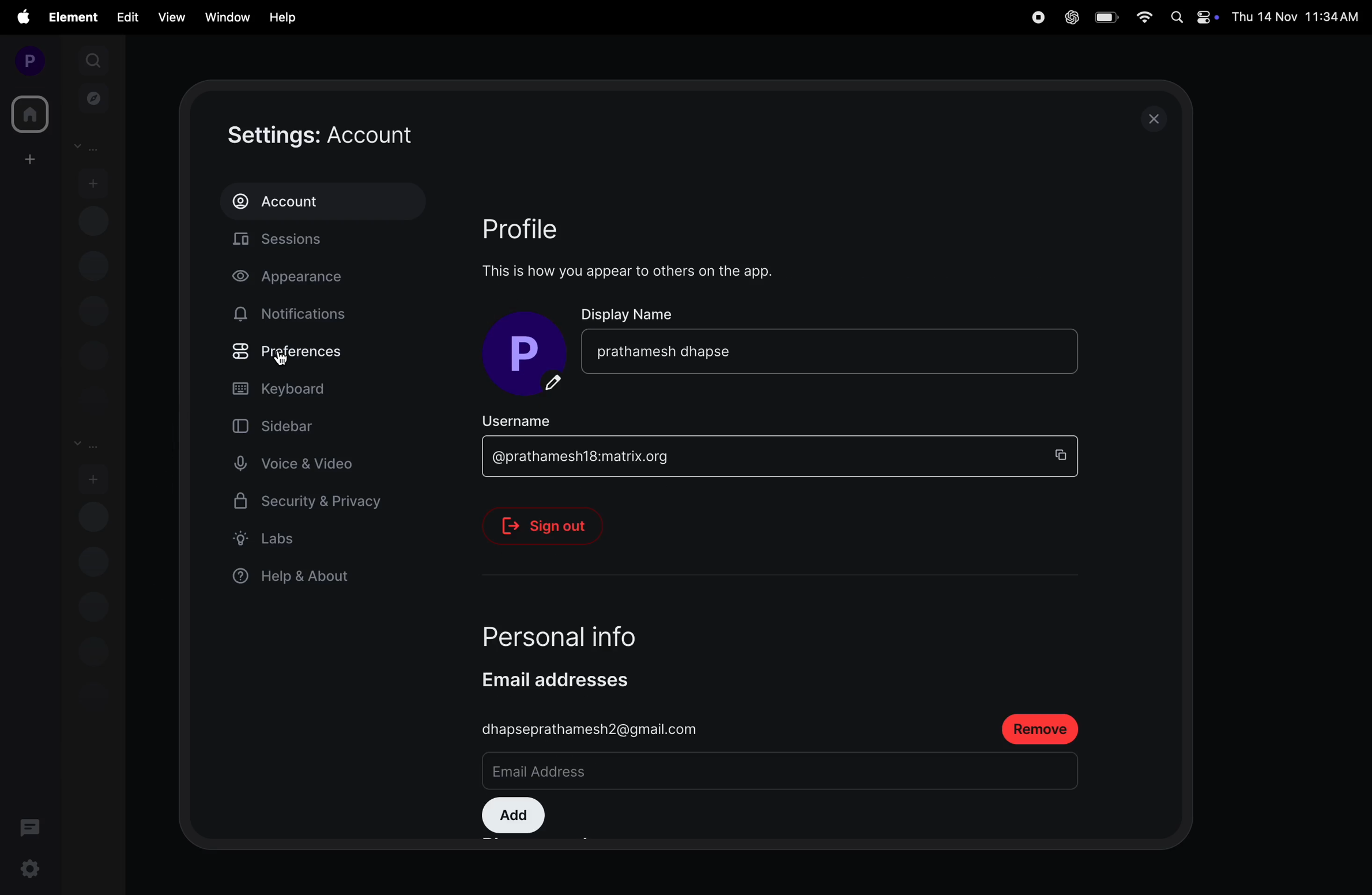 The image size is (1372, 895). Describe the element at coordinates (127, 18) in the screenshot. I see `edit` at that location.